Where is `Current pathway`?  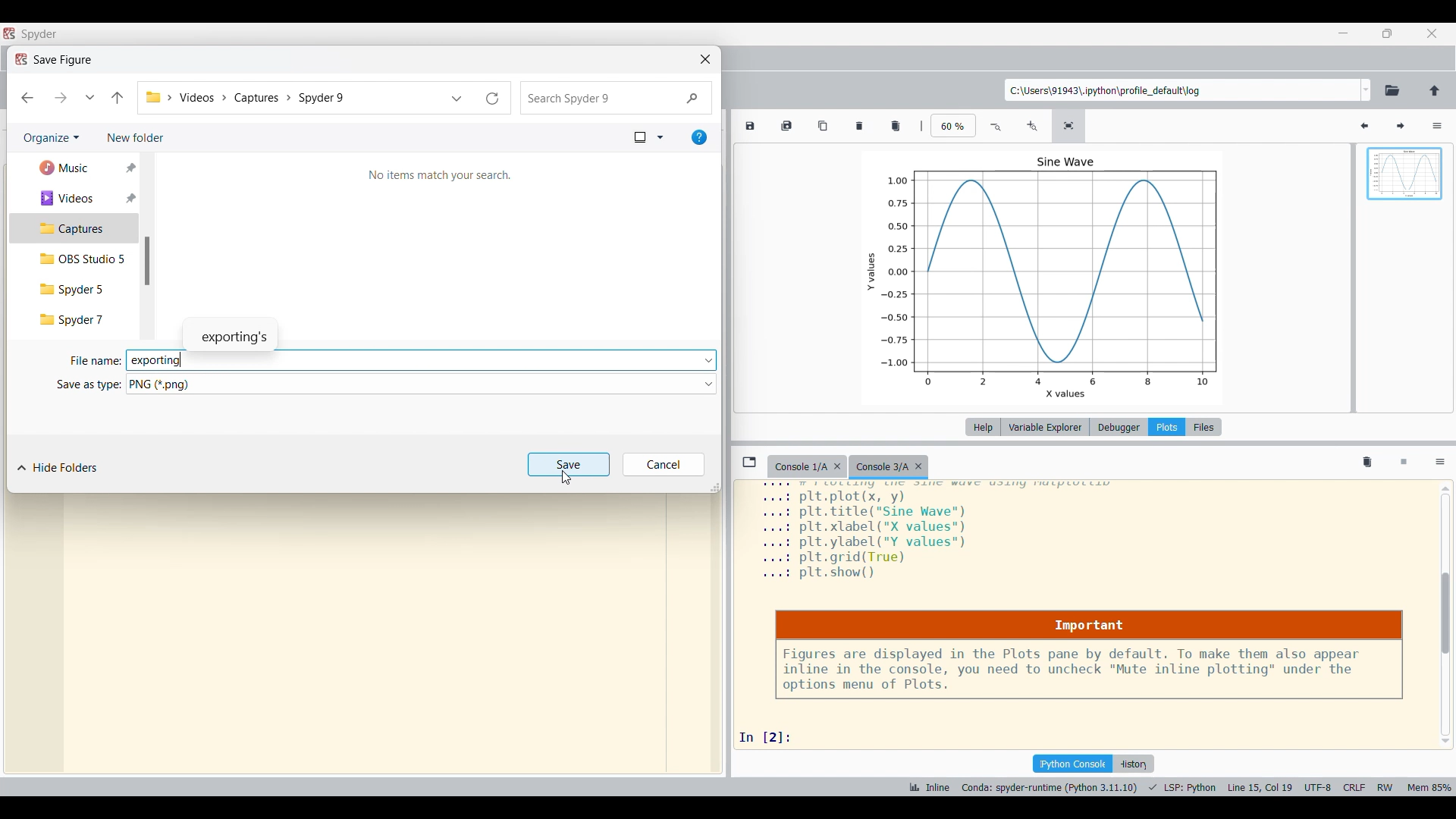 Current pathway is located at coordinates (290, 97).